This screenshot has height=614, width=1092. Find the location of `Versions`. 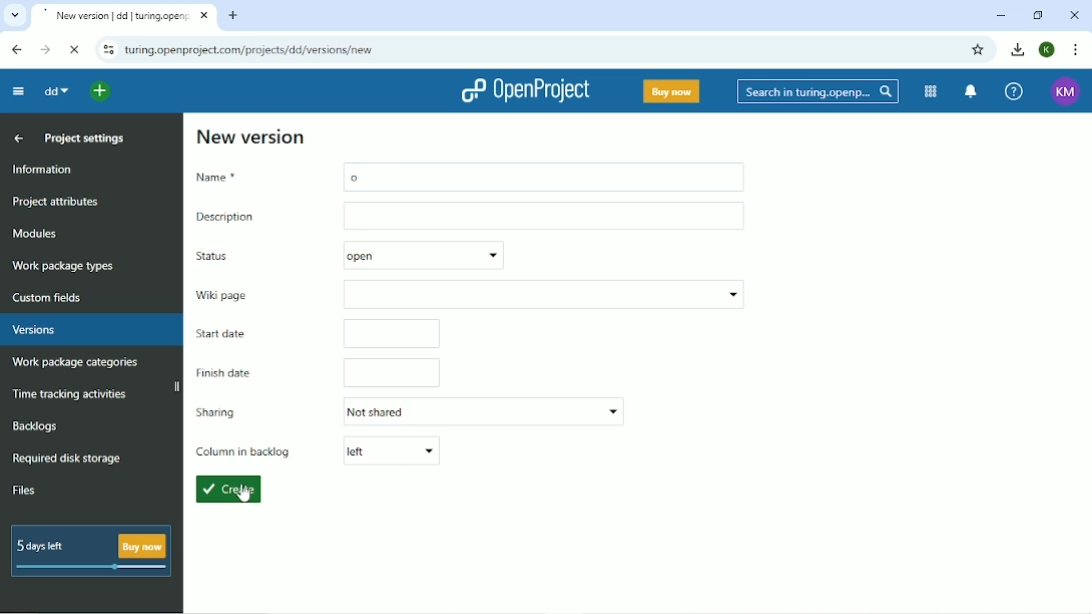

Versions is located at coordinates (33, 330).